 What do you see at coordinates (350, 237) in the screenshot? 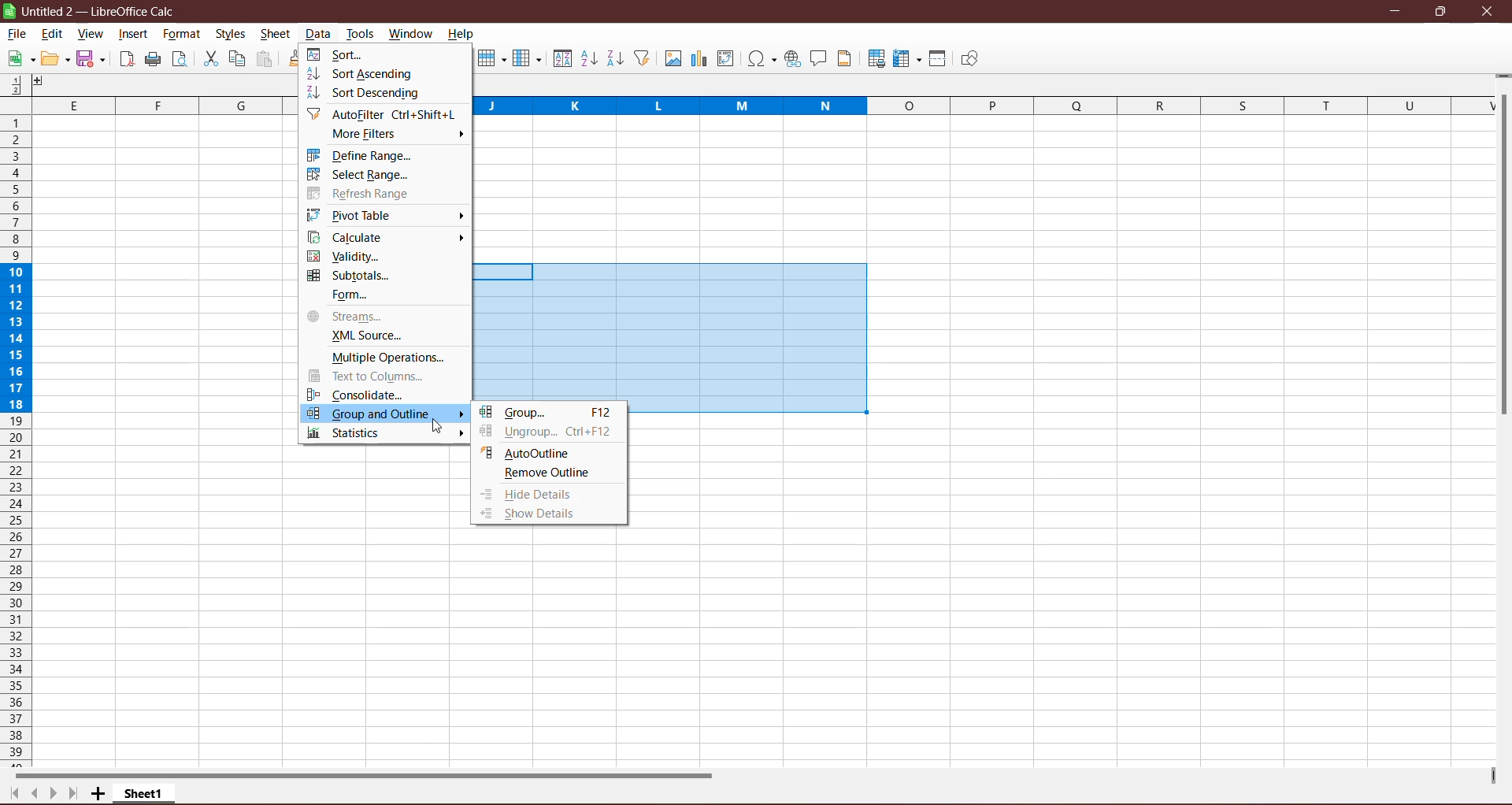
I see `Calculate` at bounding box center [350, 237].